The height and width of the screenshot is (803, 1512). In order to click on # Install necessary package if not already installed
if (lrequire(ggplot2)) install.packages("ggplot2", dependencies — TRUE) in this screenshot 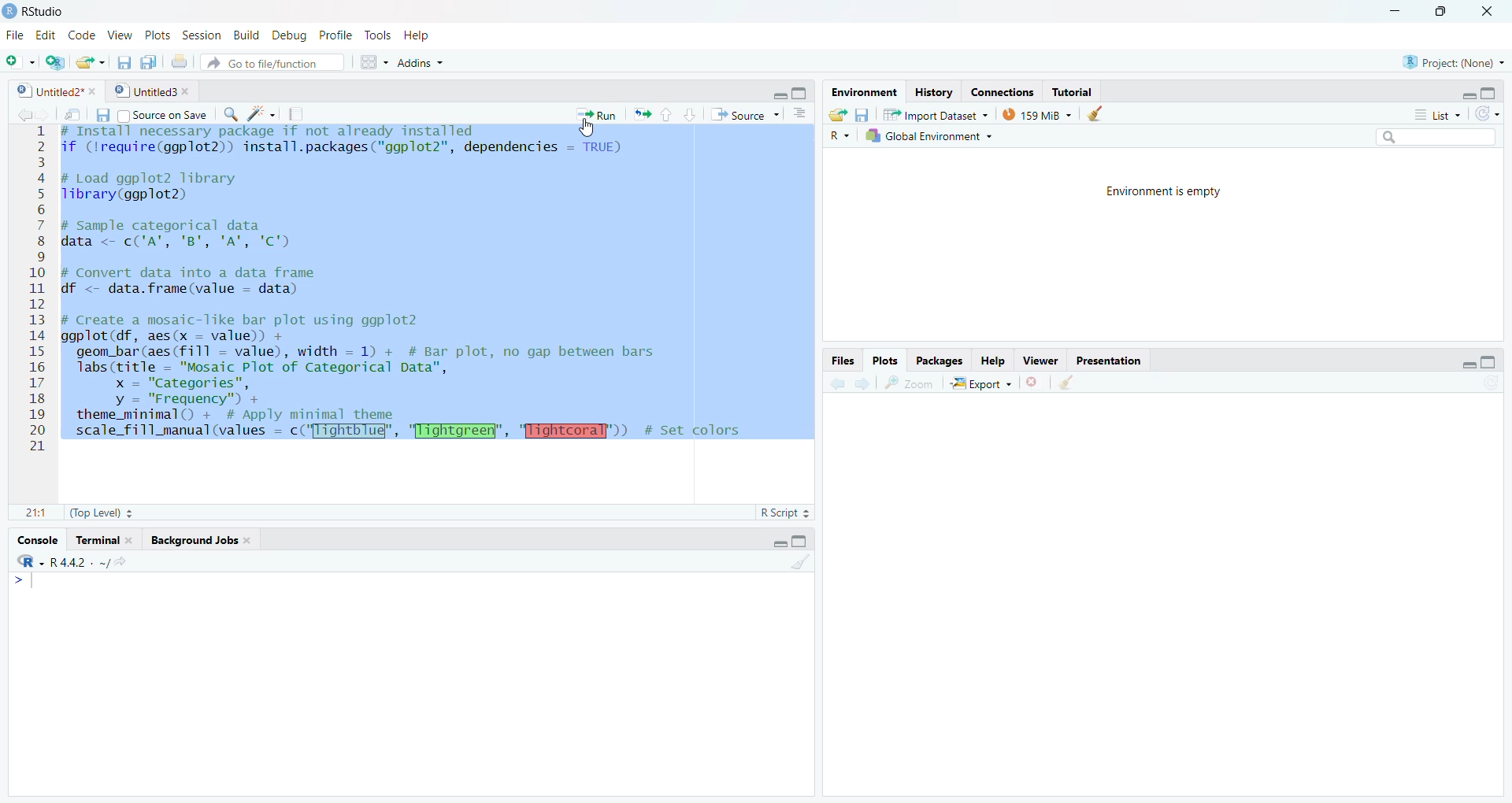, I will do `click(352, 144)`.